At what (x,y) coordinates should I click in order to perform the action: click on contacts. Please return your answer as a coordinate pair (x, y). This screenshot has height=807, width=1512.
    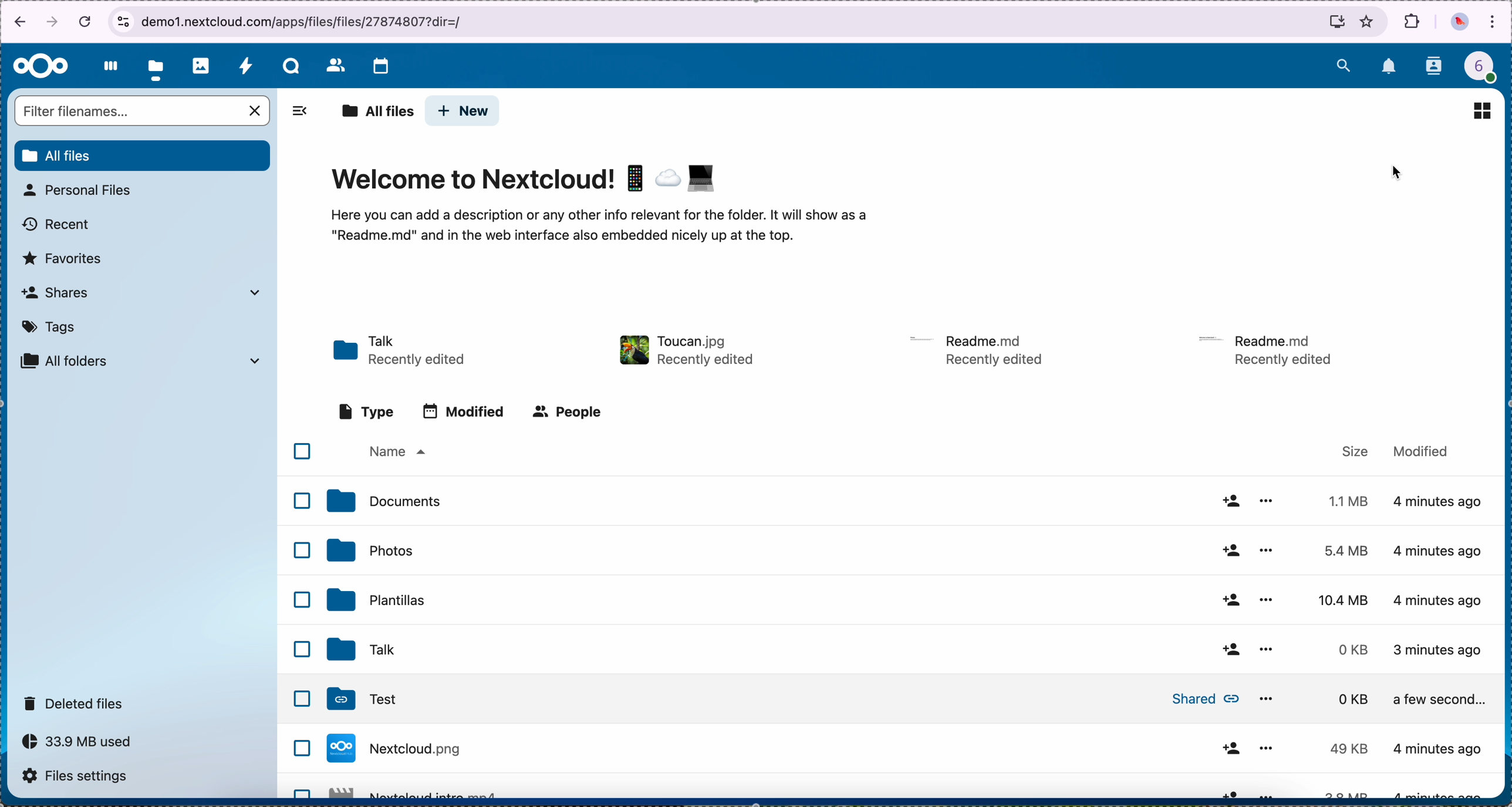
    Looking at the image, I should click on (335, 65).